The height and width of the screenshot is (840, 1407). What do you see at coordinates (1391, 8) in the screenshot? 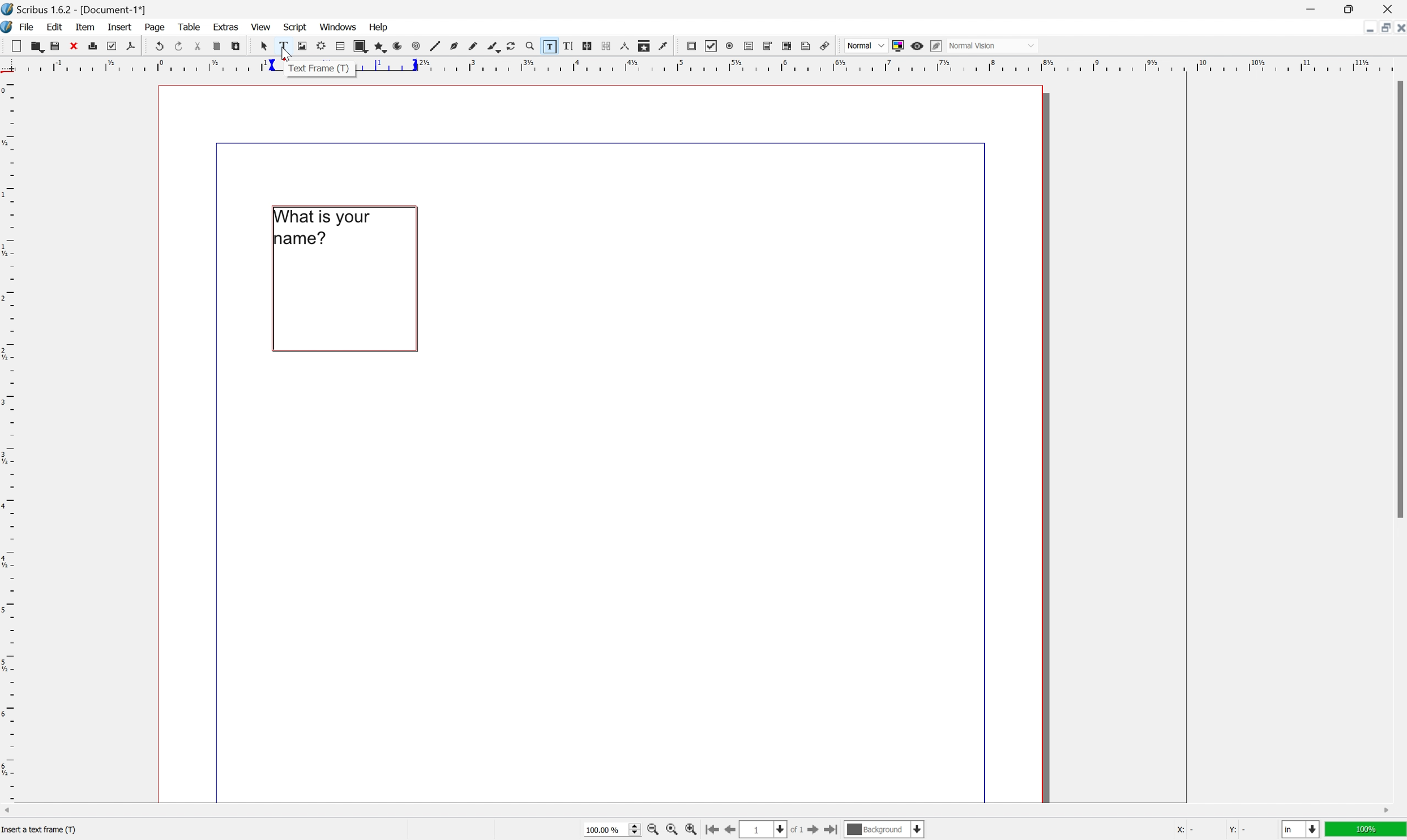
I see `close` at bounding box center [1391, 8].